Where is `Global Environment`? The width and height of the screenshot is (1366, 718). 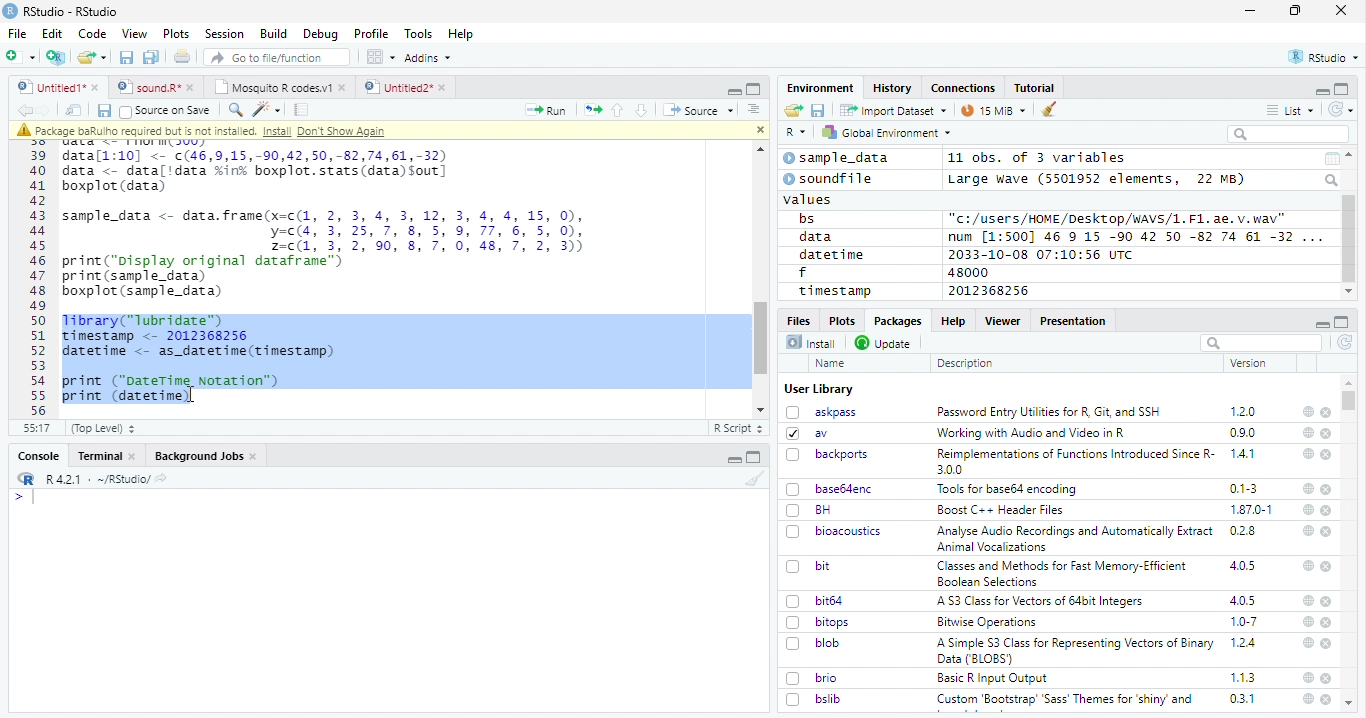 Global Environment is located at coordinates (888, 131).